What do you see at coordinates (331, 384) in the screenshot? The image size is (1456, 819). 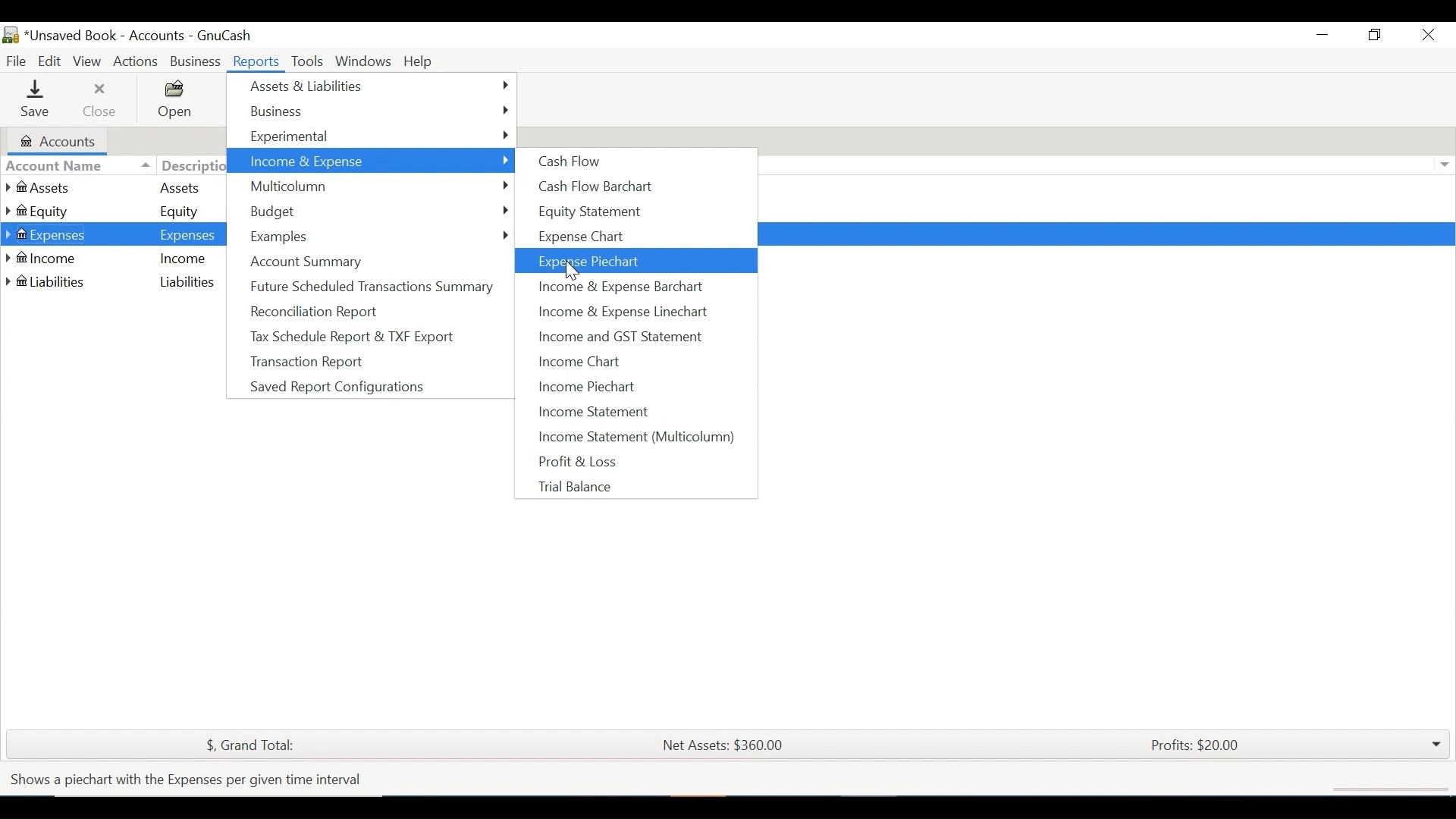 I see `Saved Report Configurations` at bounding box center [331, 384].